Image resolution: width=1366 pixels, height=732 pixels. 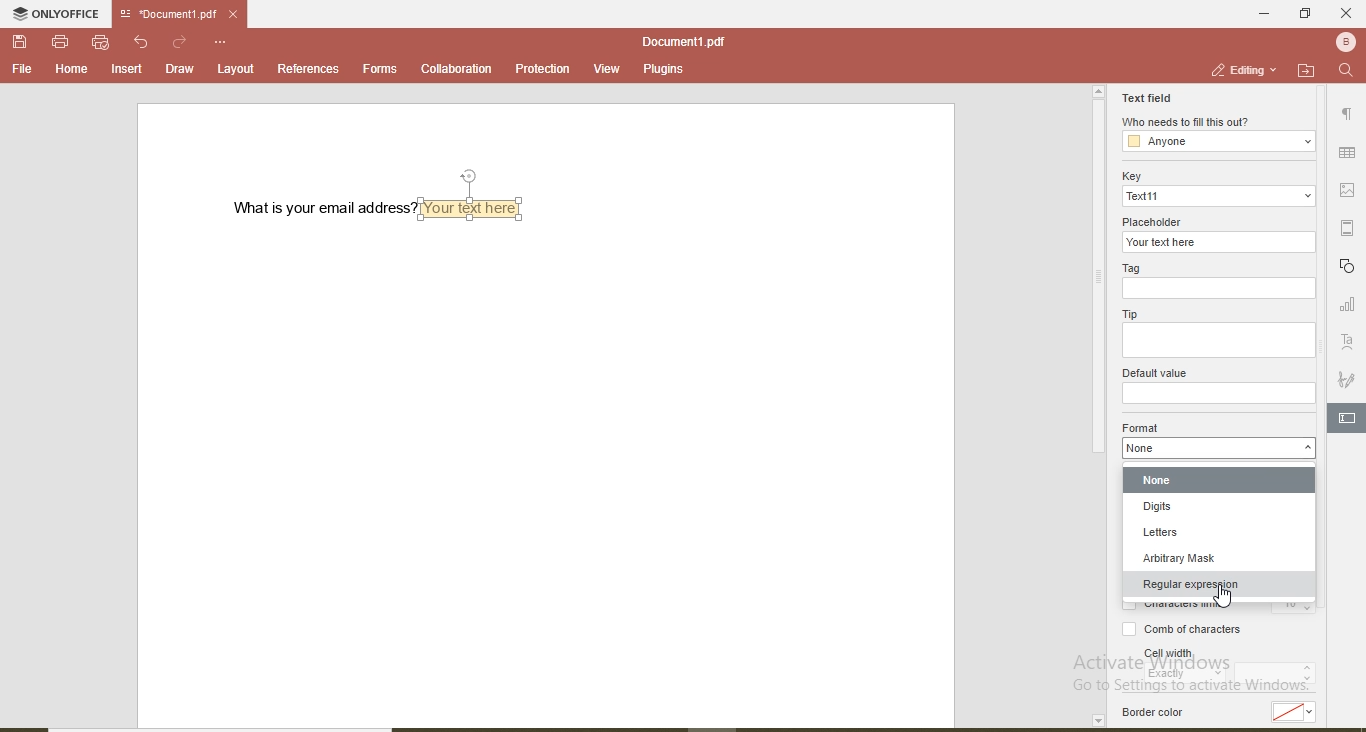 What do you see at coordinates (1346, 13) in the screenshot?
I see `close` at bounding box center [1346, 13].